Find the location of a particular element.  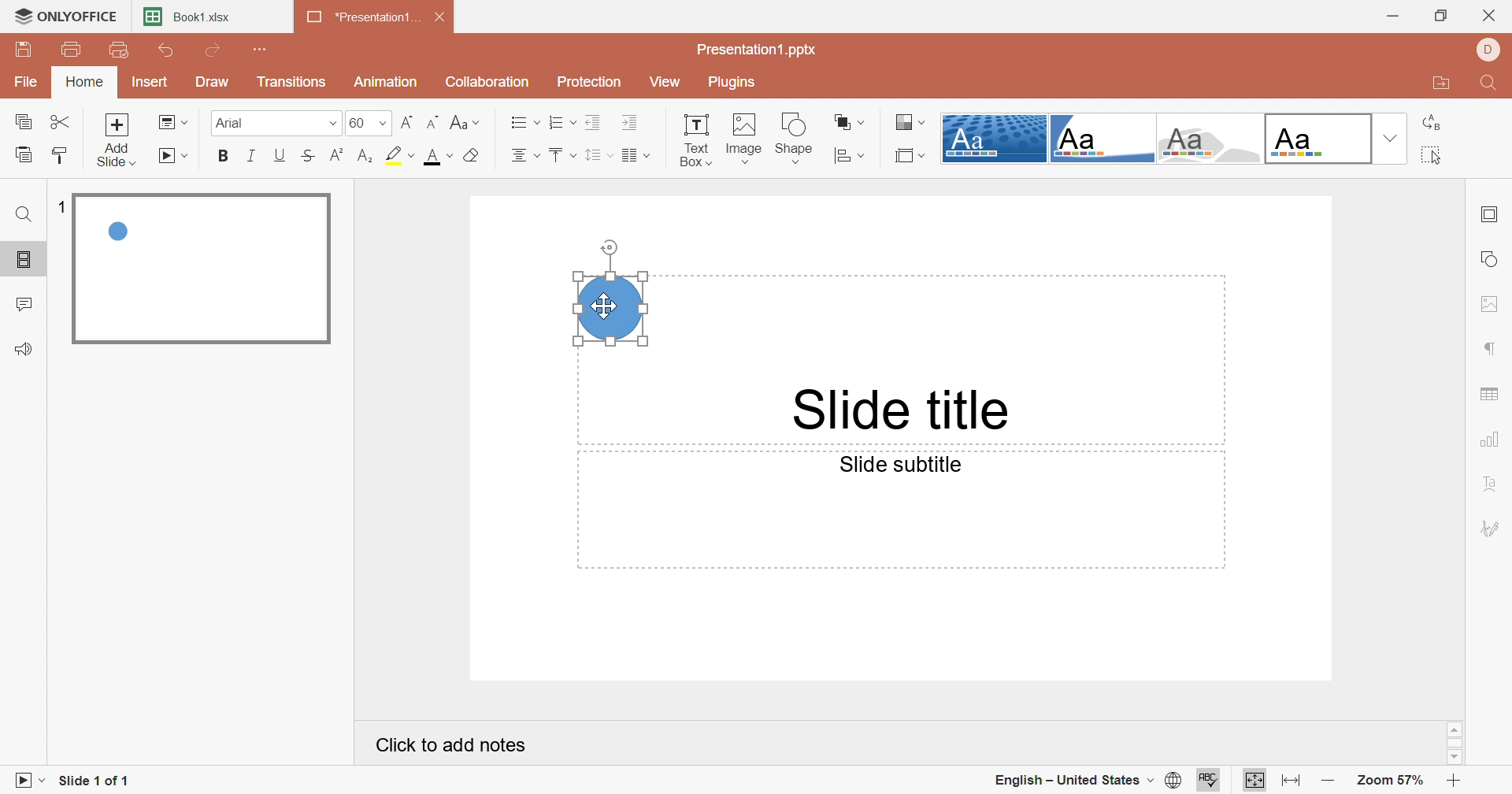

Underline is located at coordinates (281, 155).